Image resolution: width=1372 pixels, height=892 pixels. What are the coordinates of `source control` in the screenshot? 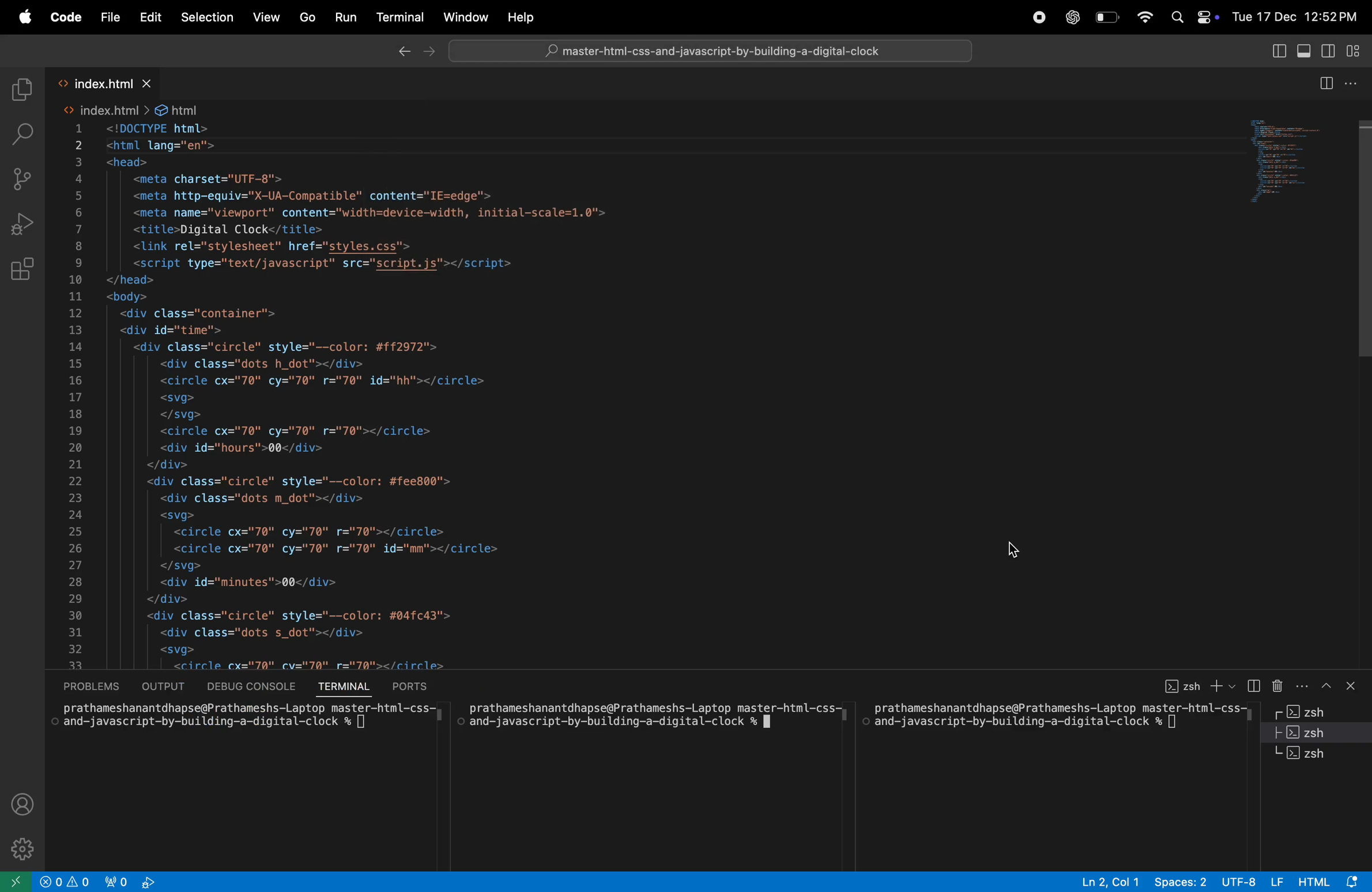 It's located at (26, 182).